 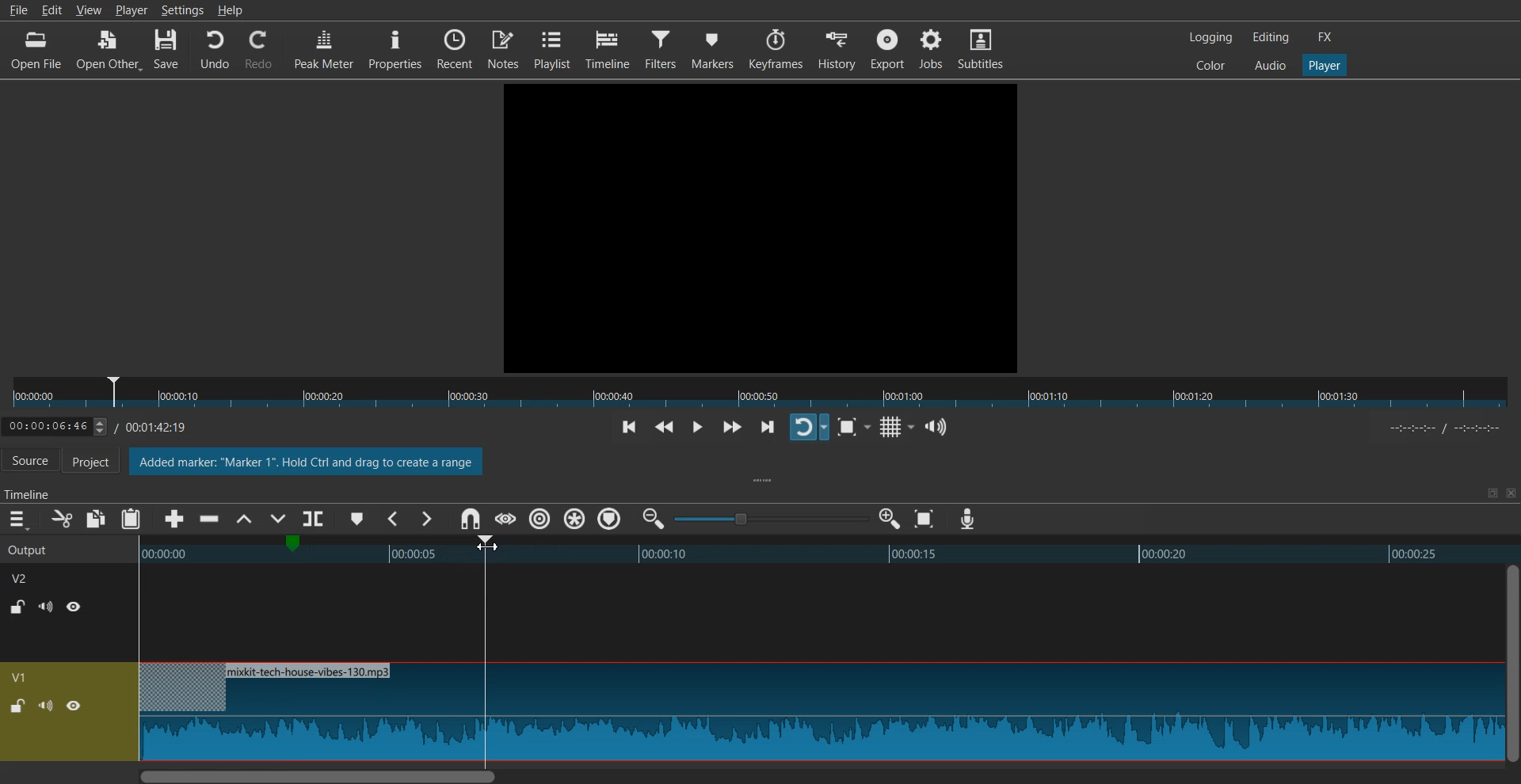 I want to click on Properties, so click(x=395, y=48).